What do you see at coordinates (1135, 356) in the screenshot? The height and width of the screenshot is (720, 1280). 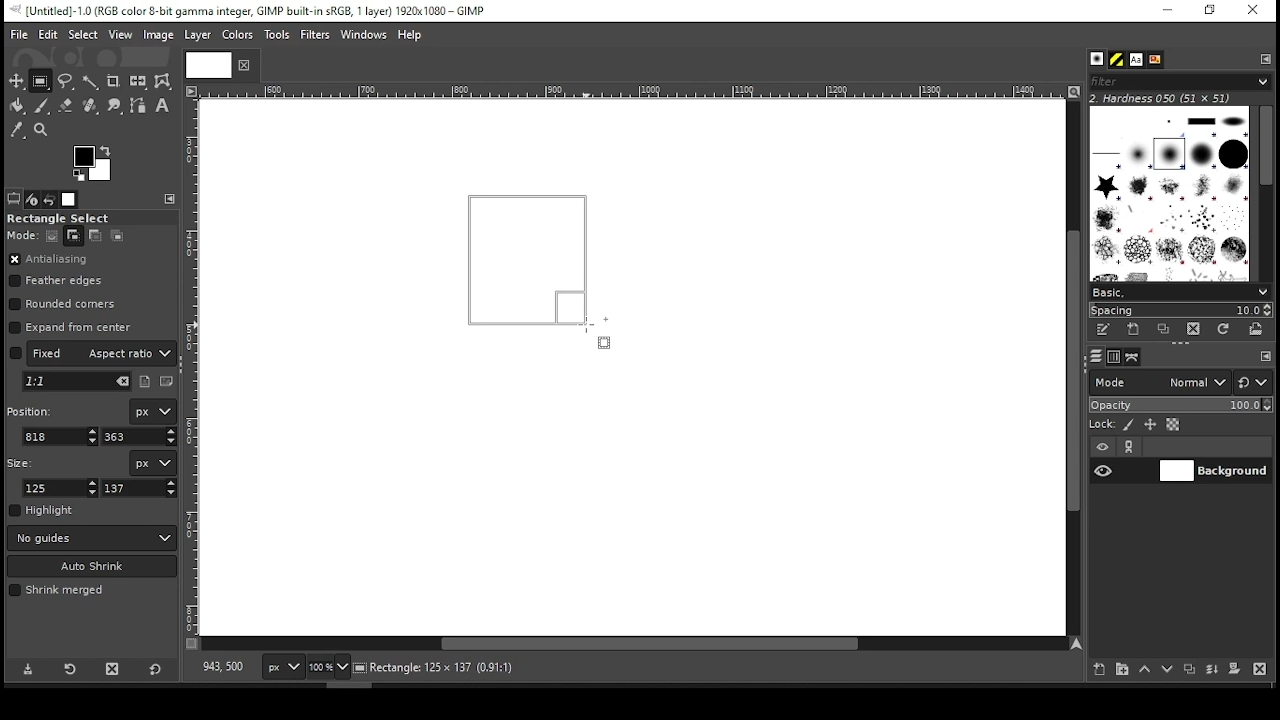 I see `paths` at bounding box center [1135, 356].